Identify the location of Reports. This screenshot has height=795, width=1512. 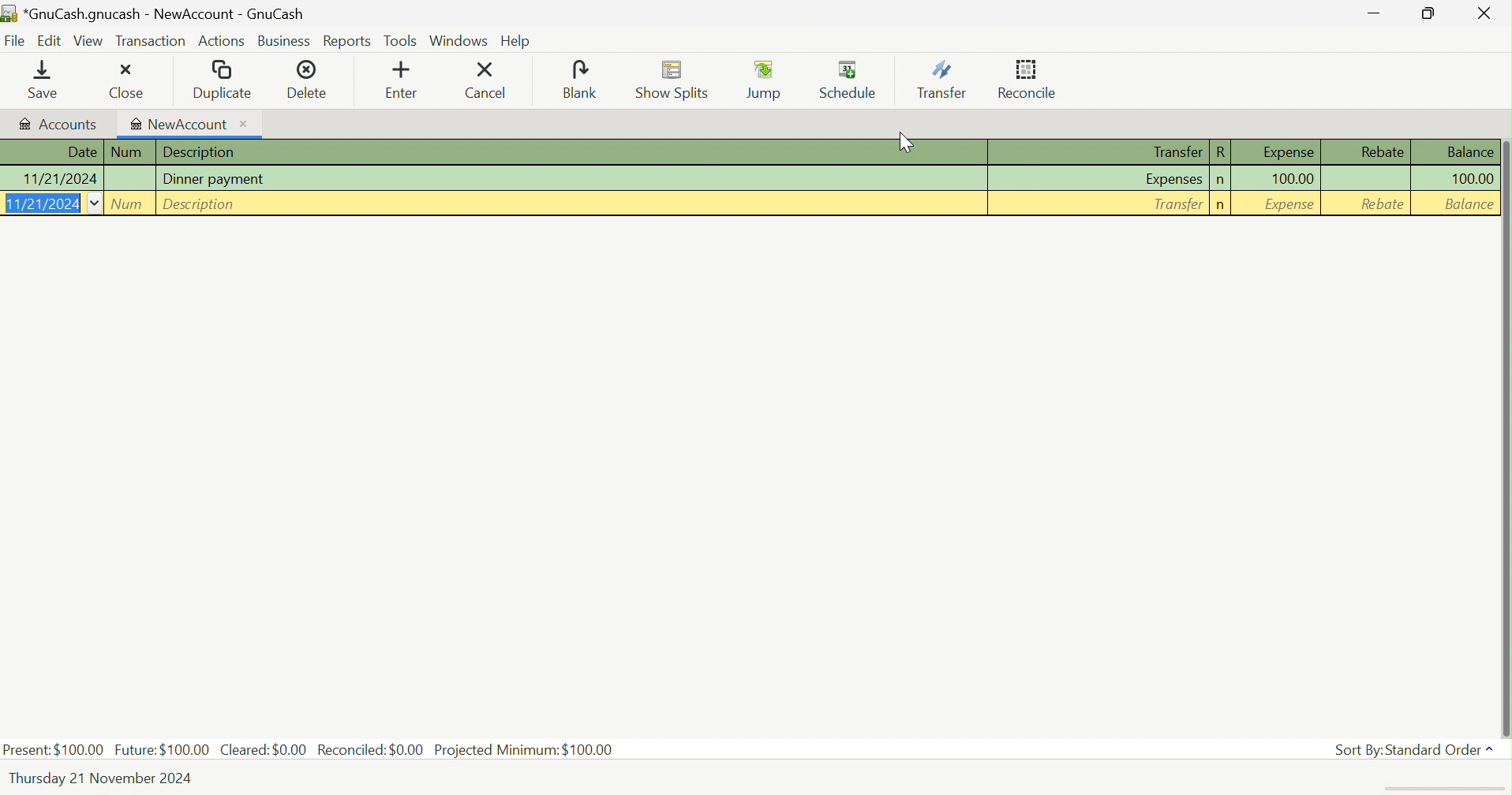
(347, 42).